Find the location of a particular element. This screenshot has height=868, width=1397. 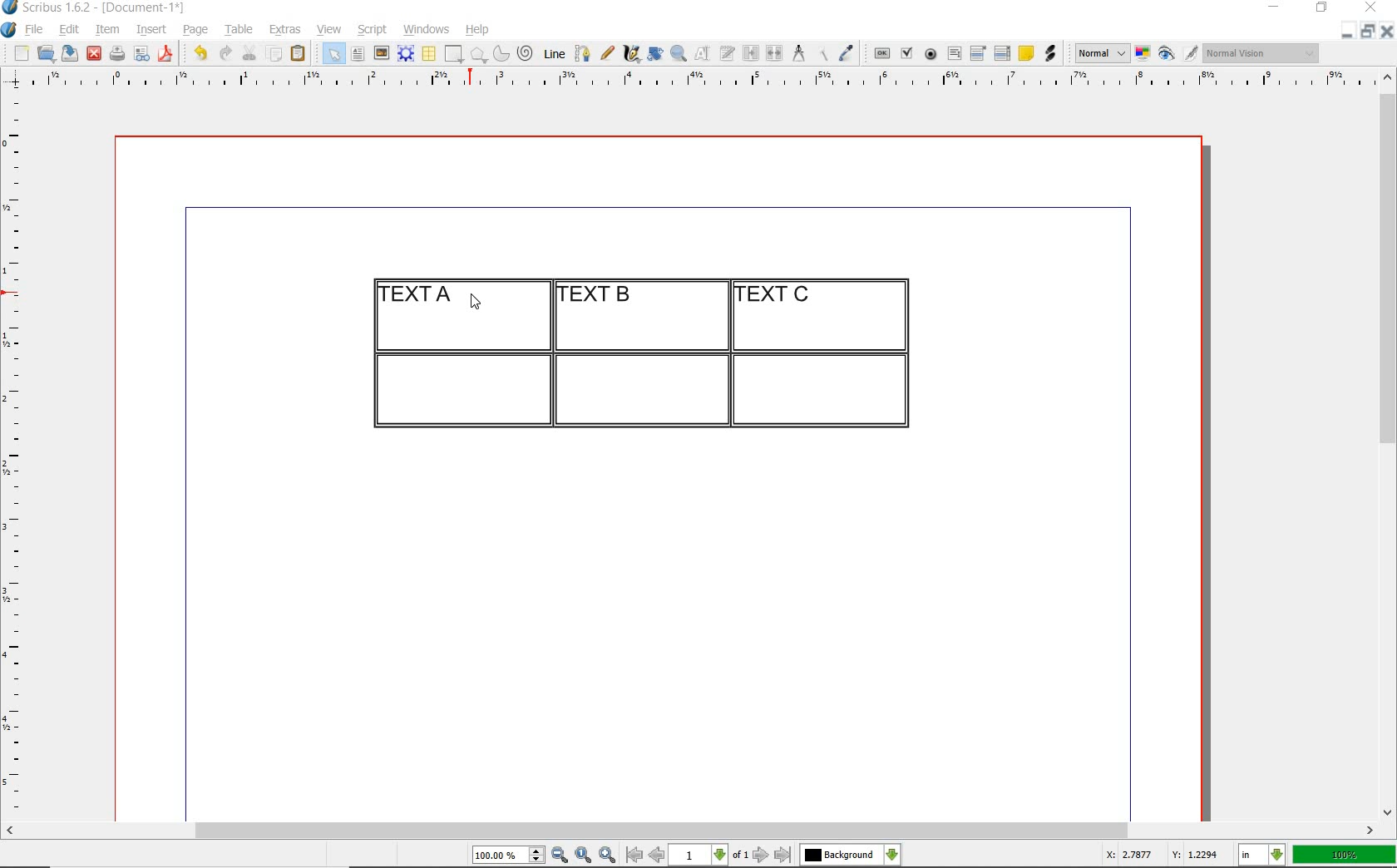

pdf list box is located at coordinates (1003, 53).